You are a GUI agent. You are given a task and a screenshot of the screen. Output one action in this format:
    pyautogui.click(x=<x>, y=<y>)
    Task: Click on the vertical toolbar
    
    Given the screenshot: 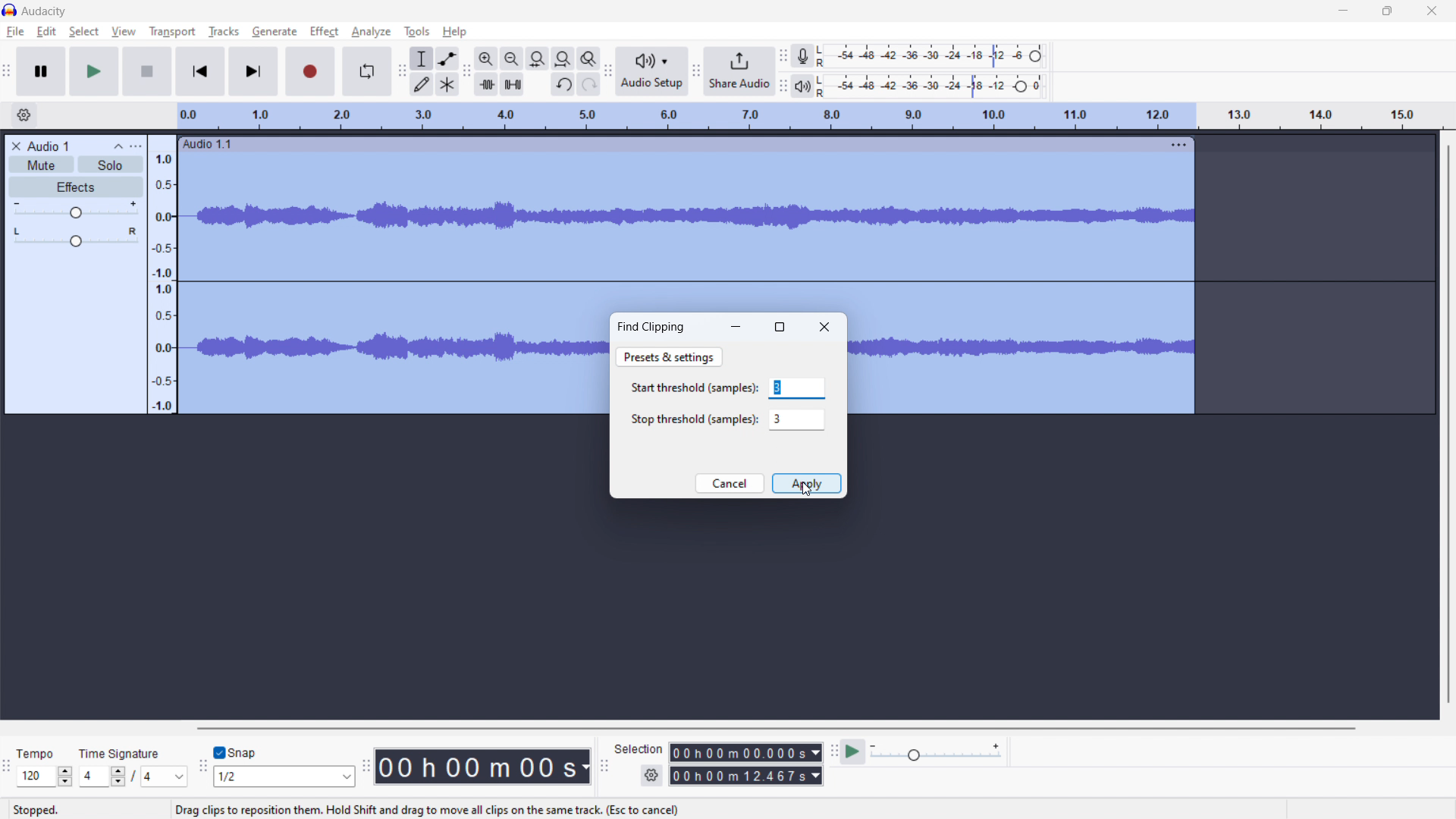 What is the action you would take?
    pyautogui.click(x=1447, y=425)
    